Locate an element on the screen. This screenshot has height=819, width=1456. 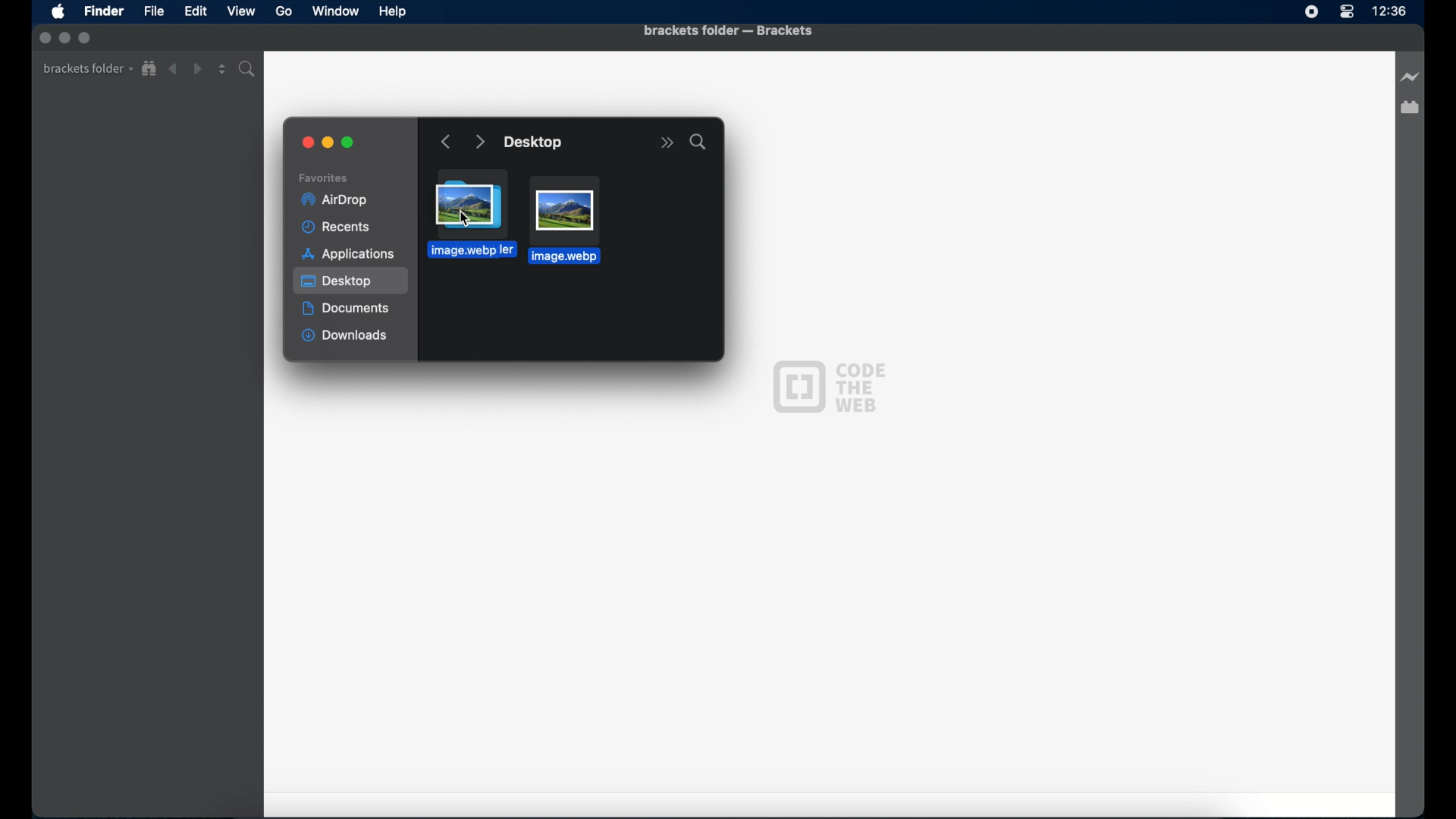
image.webp.ler is located at coordinates (461, 247).